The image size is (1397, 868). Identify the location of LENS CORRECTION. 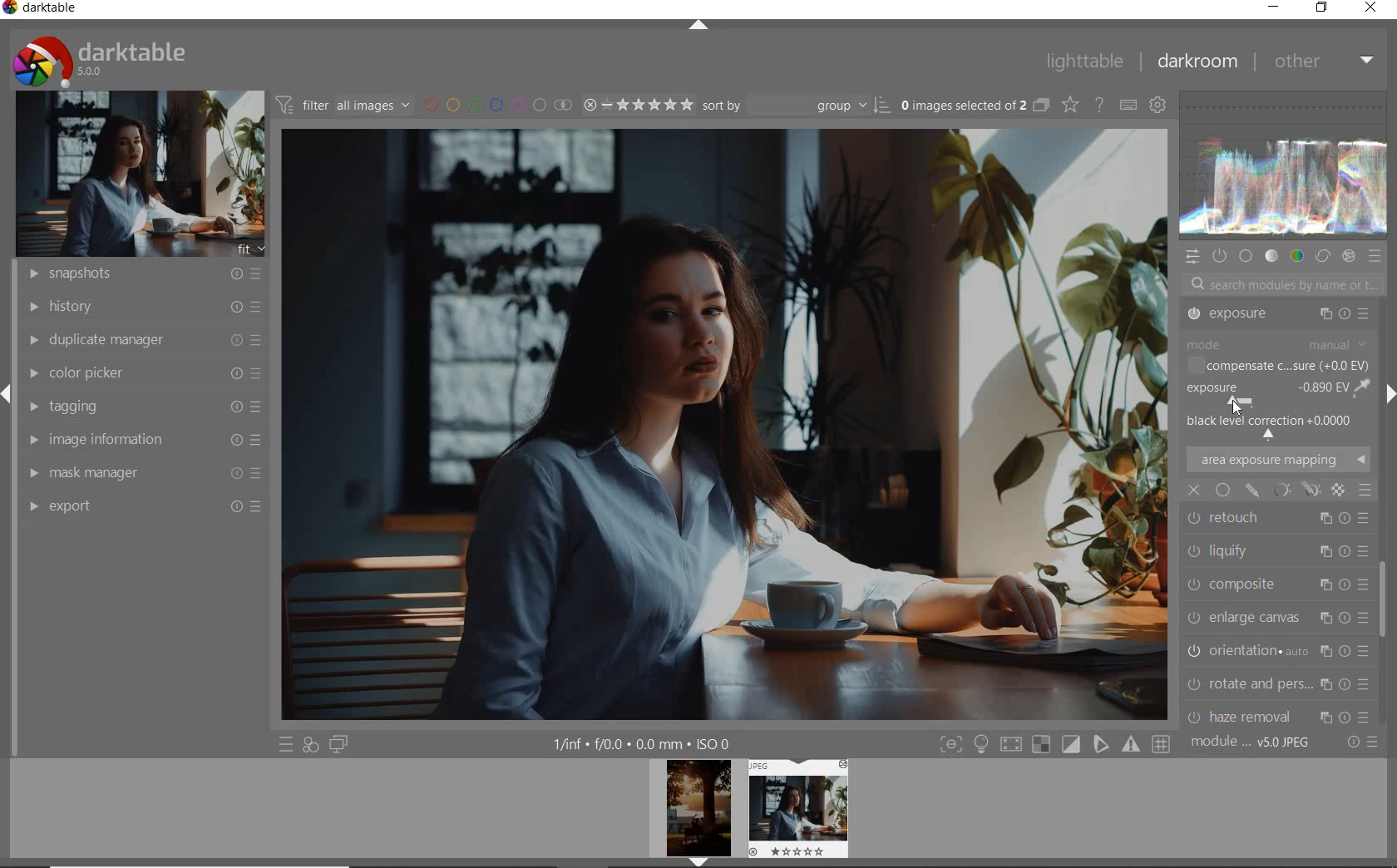
(1278, 679).